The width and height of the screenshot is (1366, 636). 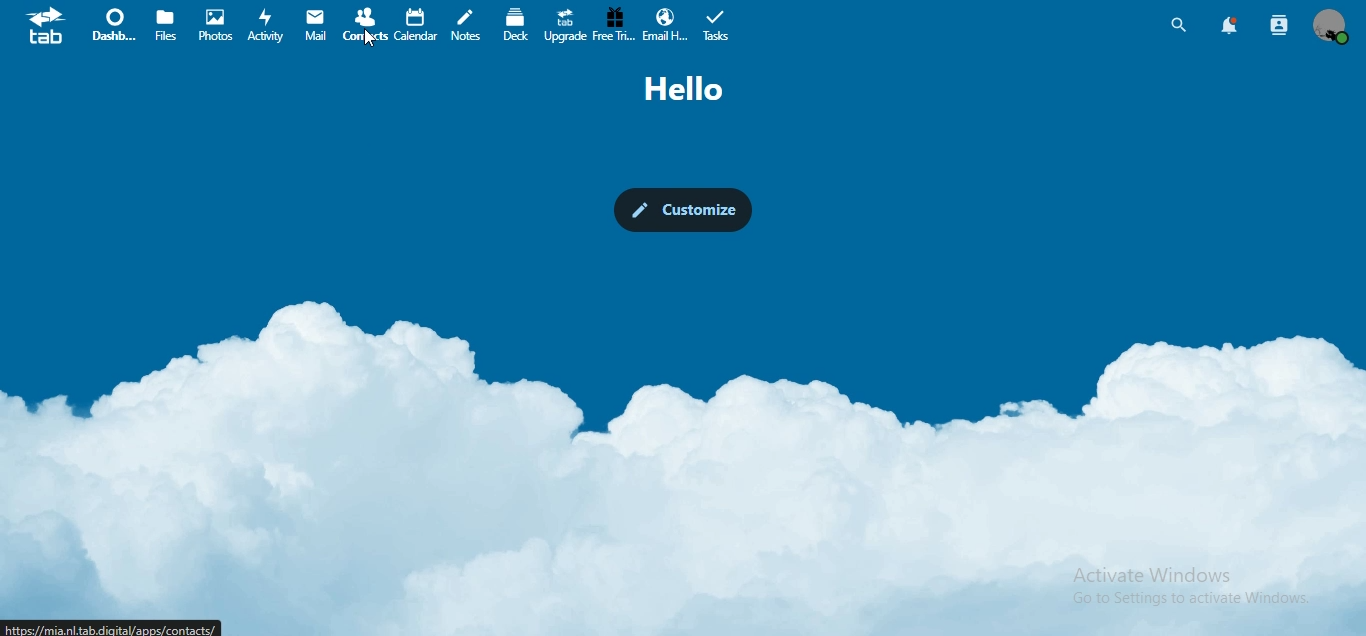 What do you see at coordinates (564, 24) in the screenshot?
I see `upgrade` at bounding box center [564, 24].